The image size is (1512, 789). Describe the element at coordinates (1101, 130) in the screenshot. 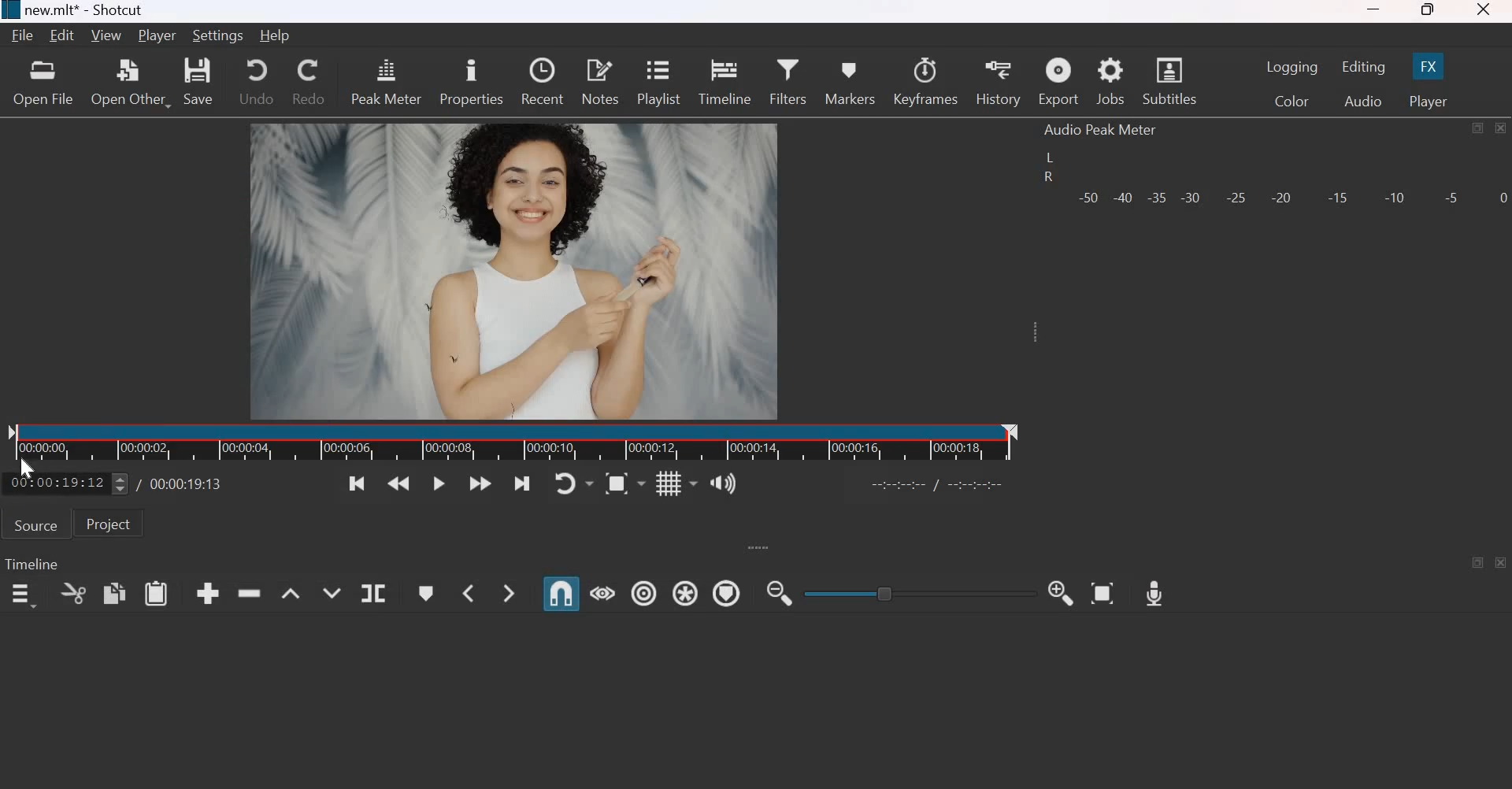

I see `Audio Peak Meter` at that location.